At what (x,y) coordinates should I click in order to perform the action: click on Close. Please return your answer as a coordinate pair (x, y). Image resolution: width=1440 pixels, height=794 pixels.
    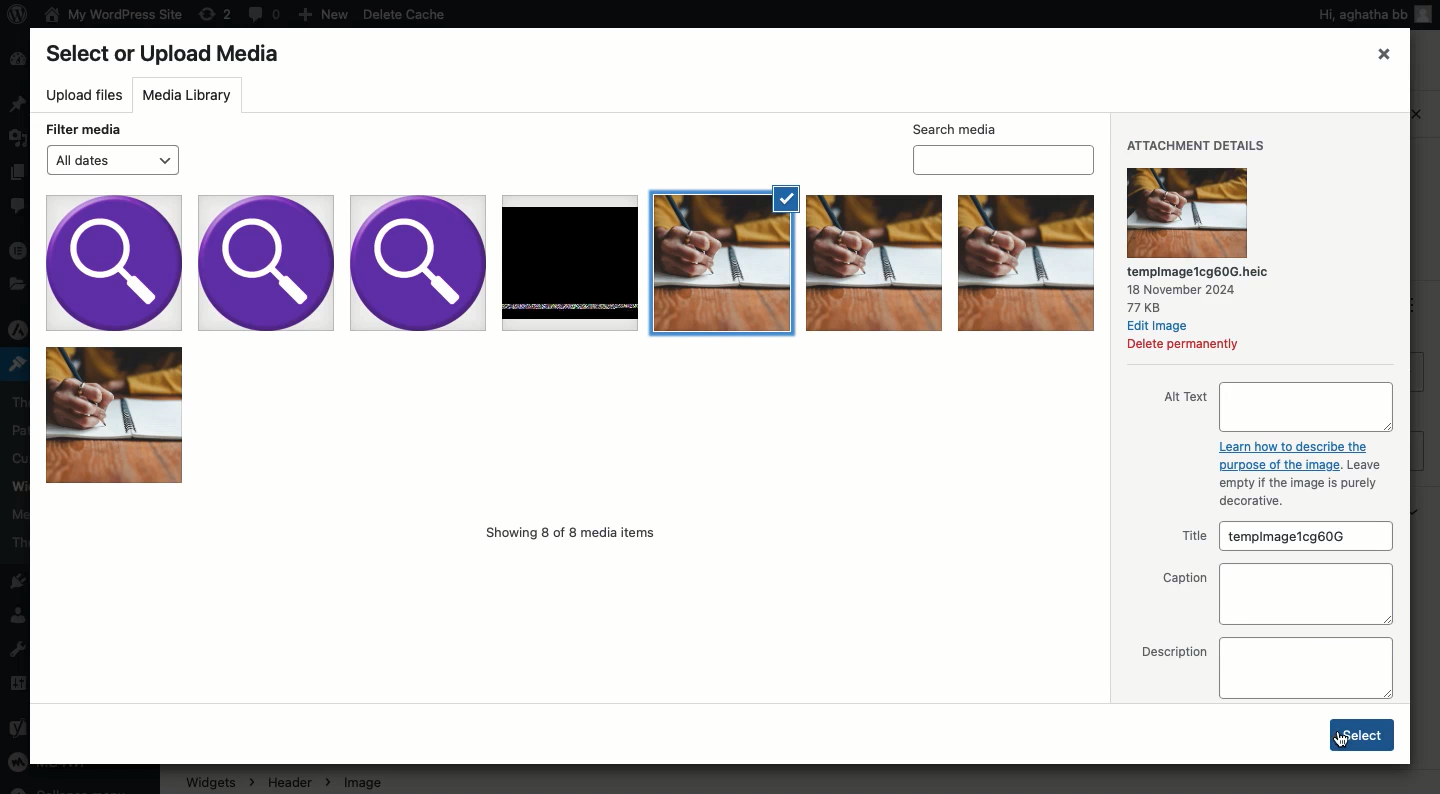
    Looking at the image, I should click on (1385, 53).